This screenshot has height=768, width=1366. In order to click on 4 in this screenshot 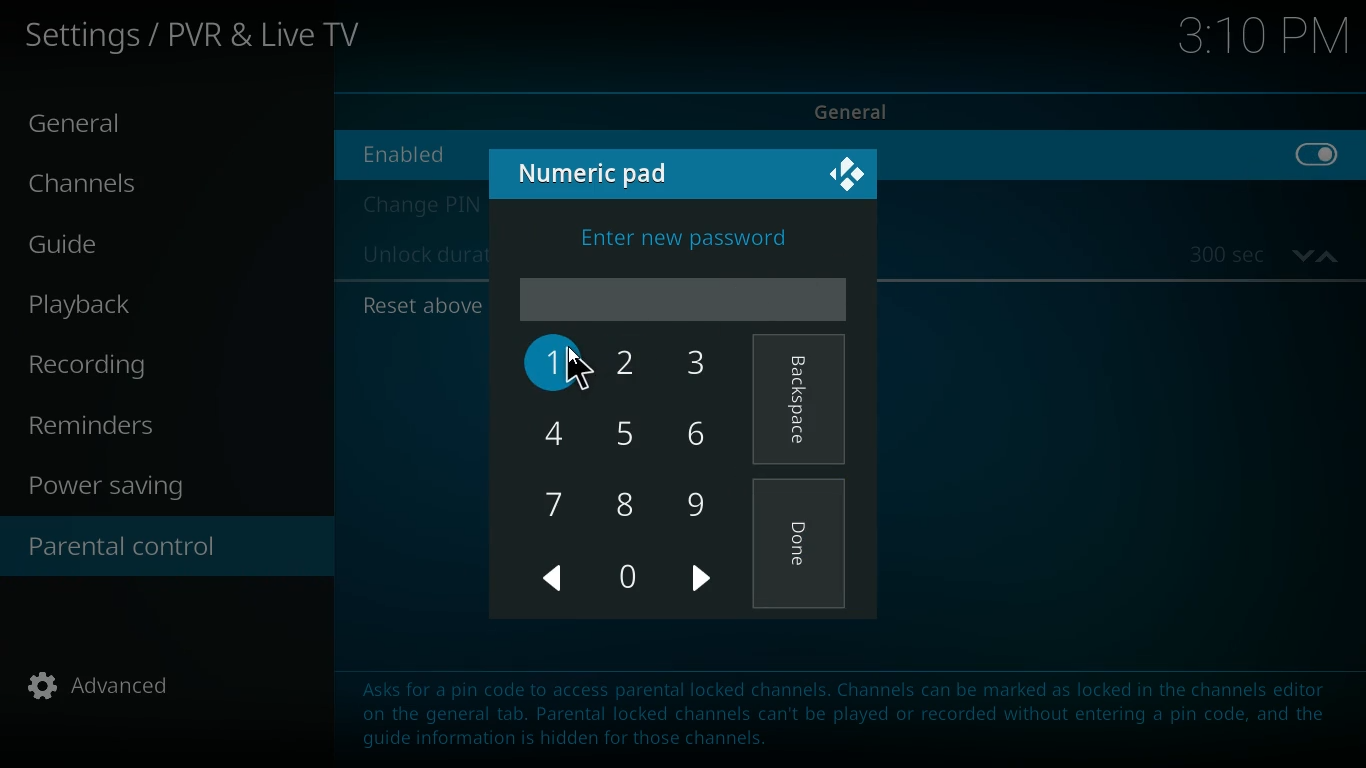, I will do `click(555, 431)`.